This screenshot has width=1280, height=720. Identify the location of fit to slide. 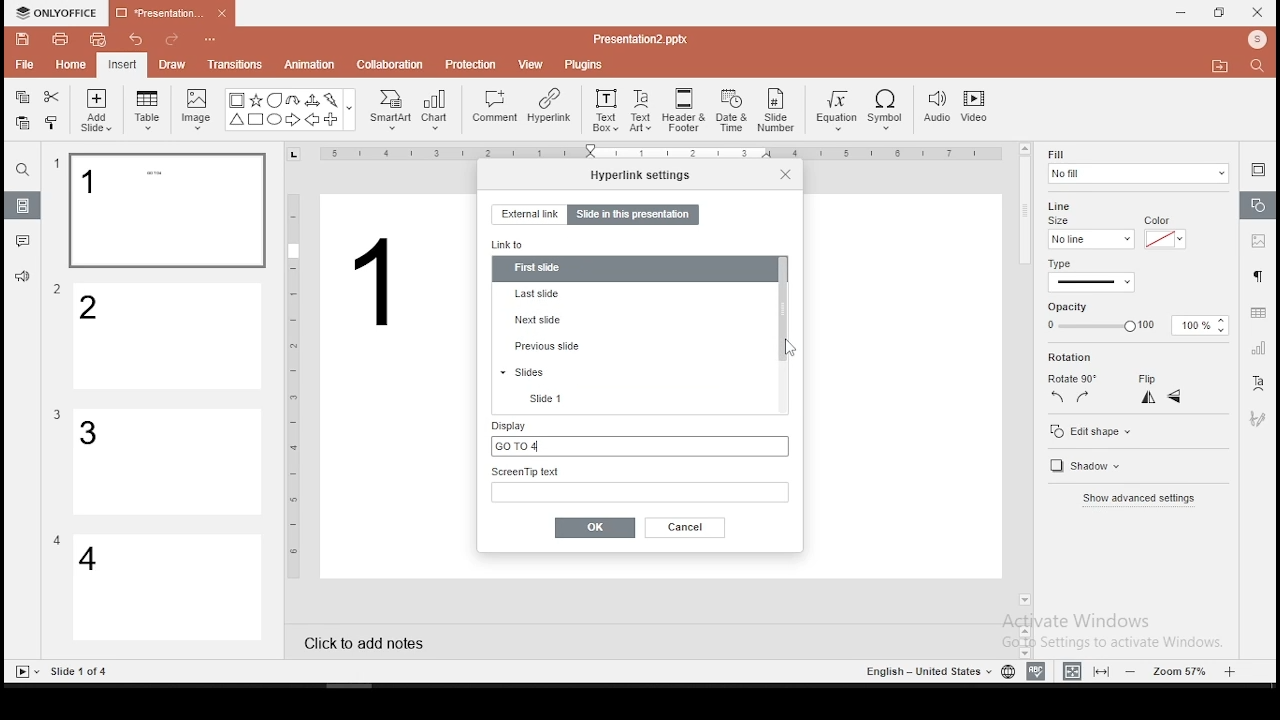
(1104, 670).